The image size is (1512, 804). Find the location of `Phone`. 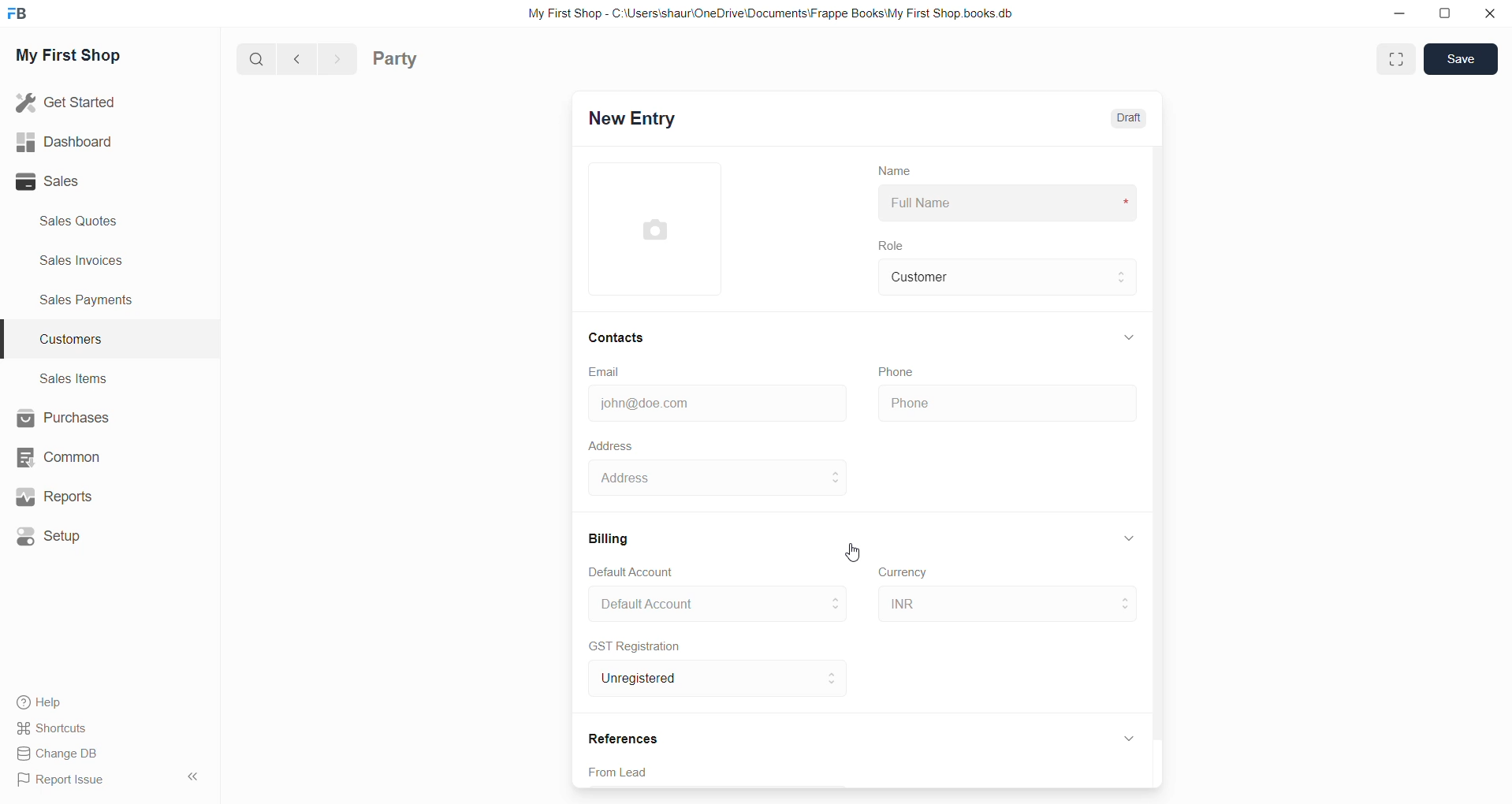

Phone is located at coordinates (1006, 404).